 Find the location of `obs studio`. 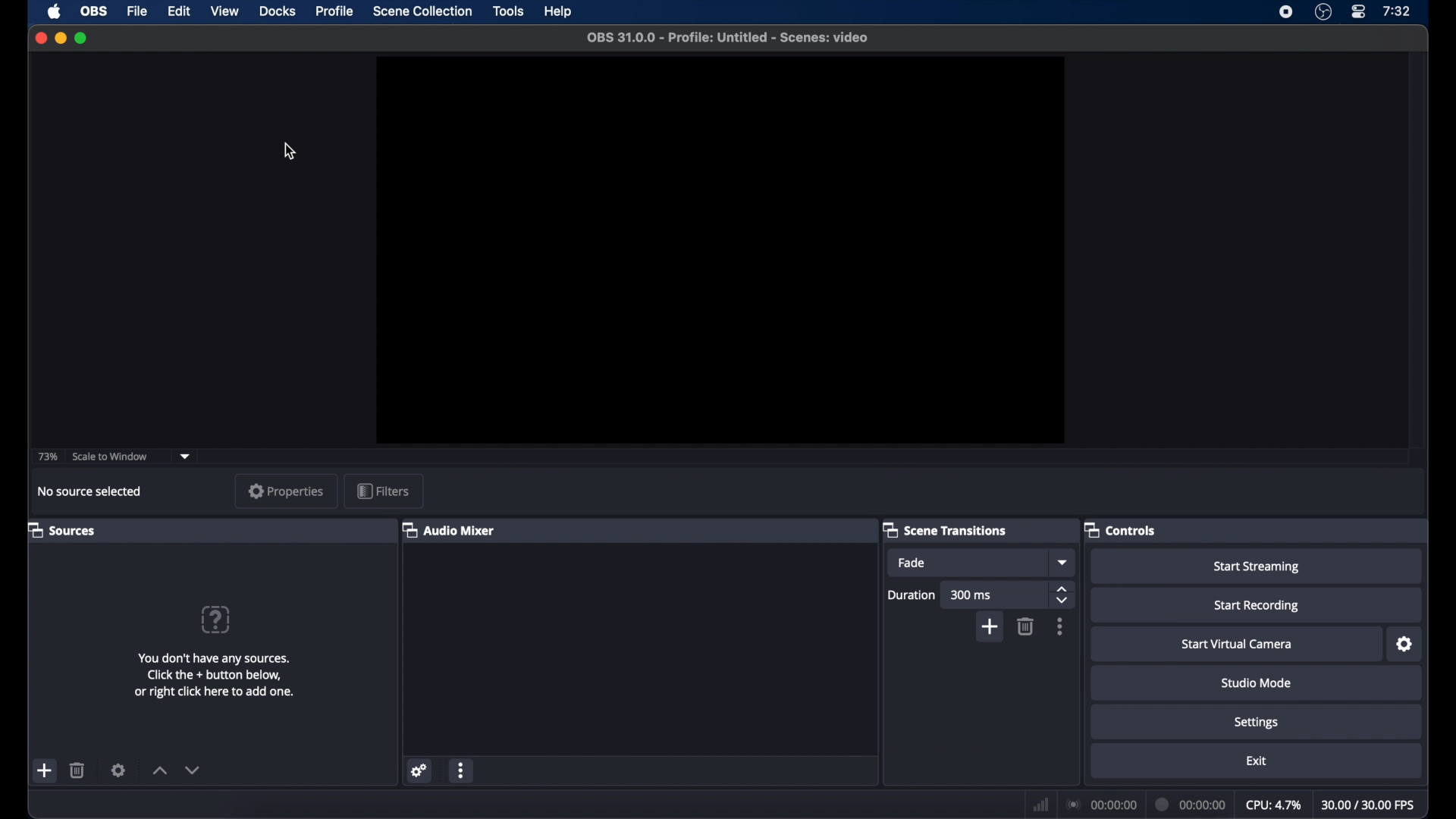

obs studio is located at coordinates (1323, 12).